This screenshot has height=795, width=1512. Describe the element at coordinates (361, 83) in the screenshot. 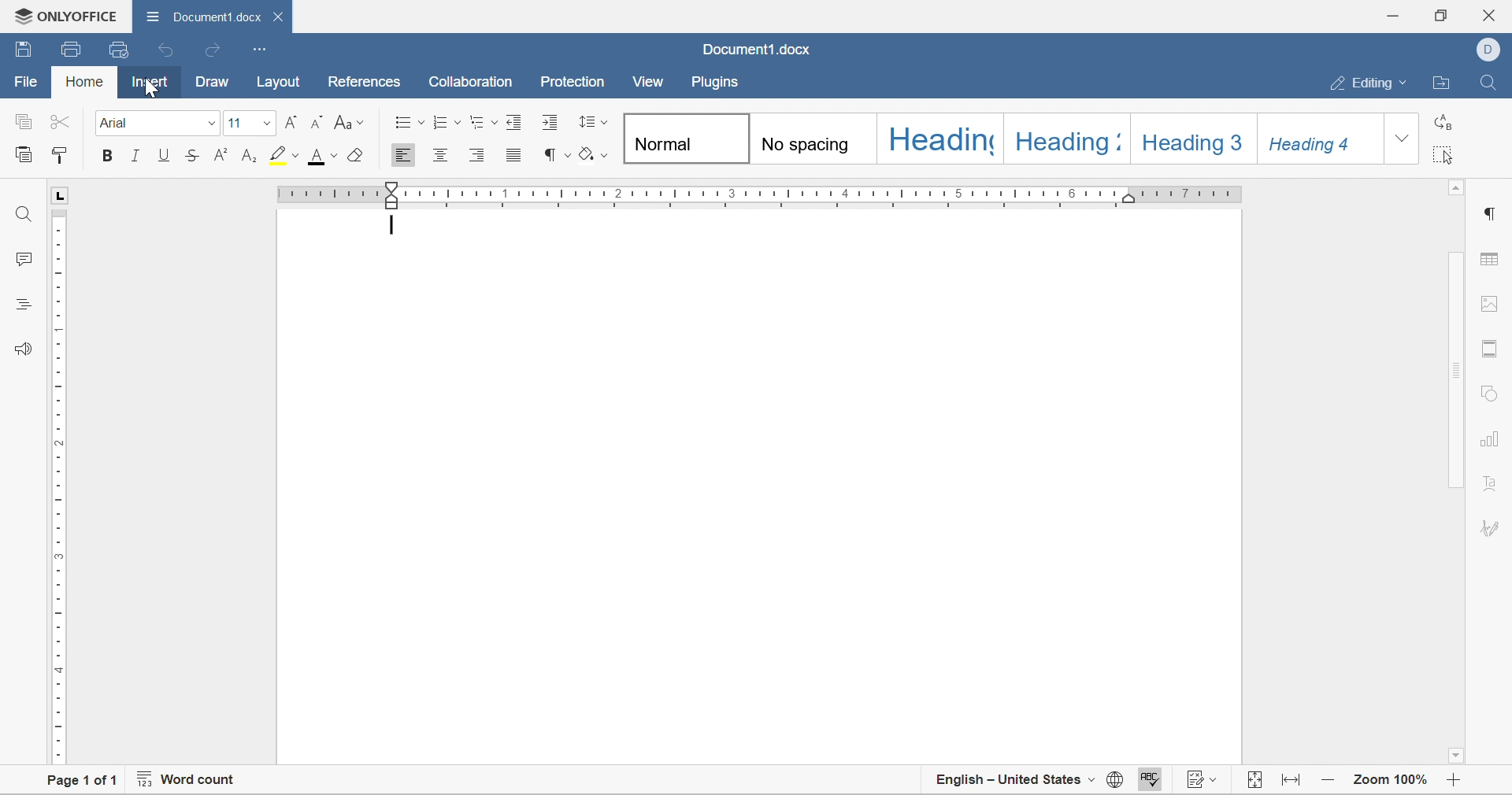

I see `References` at that location.